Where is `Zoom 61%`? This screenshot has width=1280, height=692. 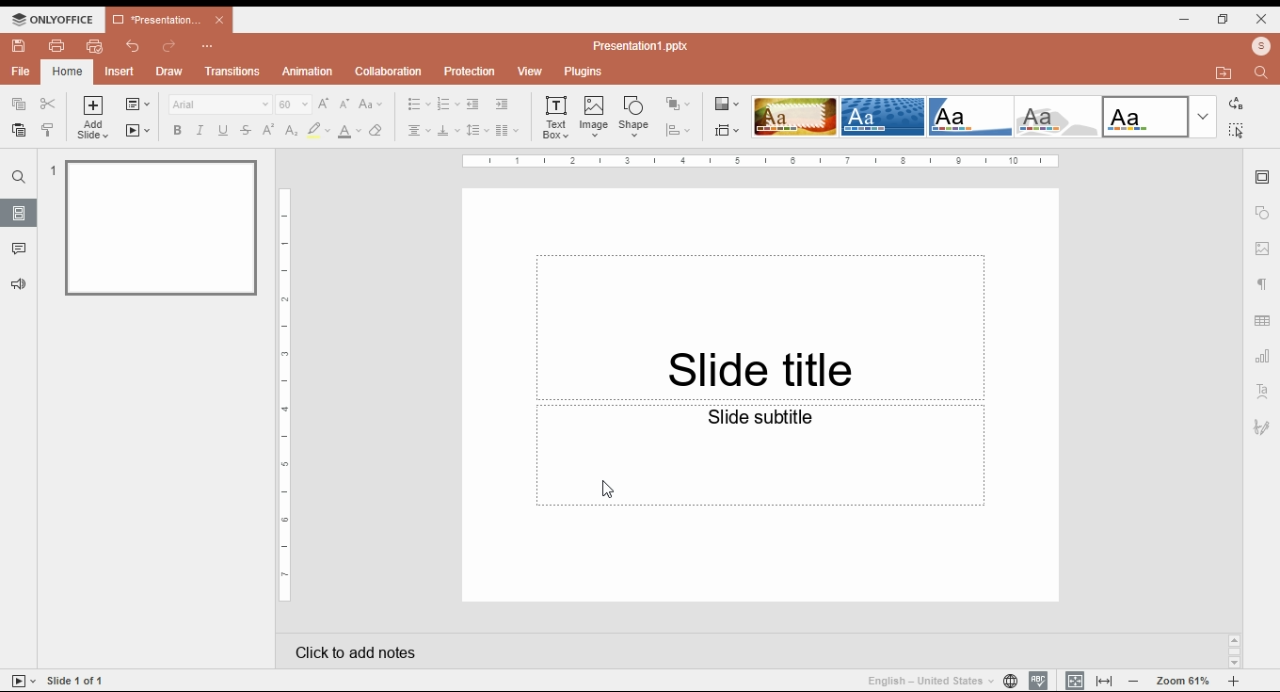
Zoom 61% is located at coordinates (1185, 679).